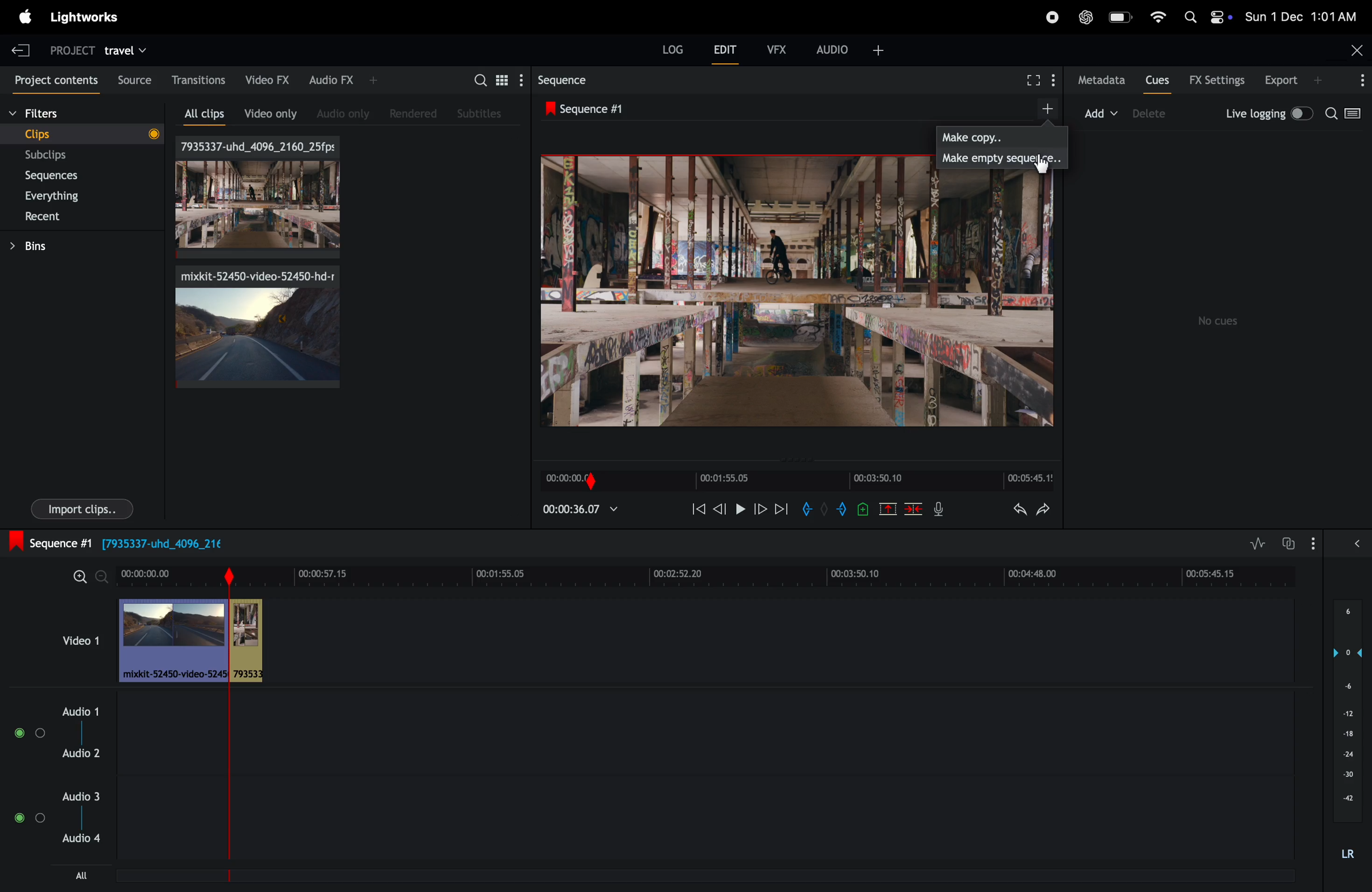 The image size is (1372, 892). Describe the element at coordinates (79, 176) in the screenshot. I see `sequences` at that location.